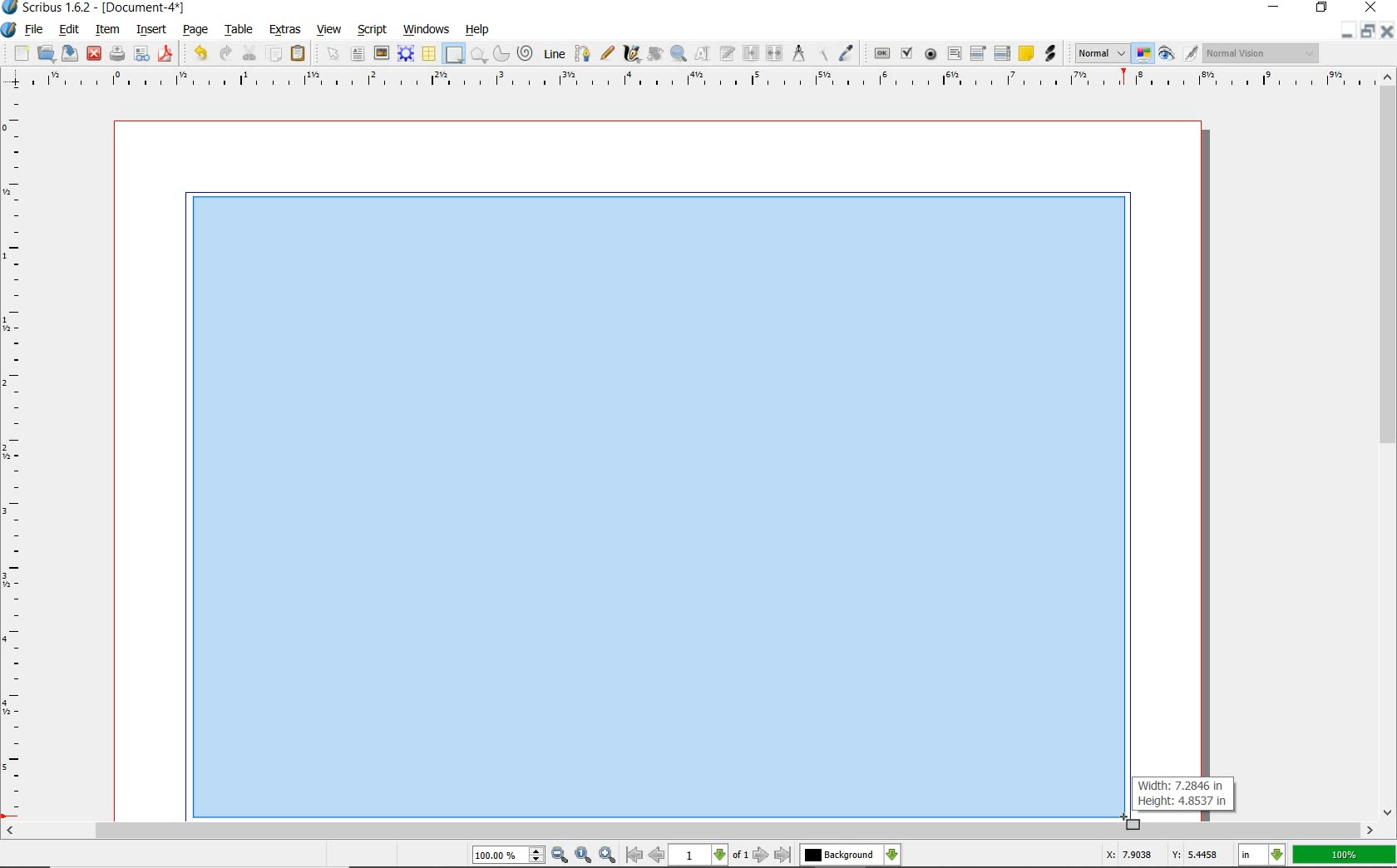 The image size is (1397, 868). Describe the element at coordinates (239, 30) in the screenshot. I see `table` at that location.